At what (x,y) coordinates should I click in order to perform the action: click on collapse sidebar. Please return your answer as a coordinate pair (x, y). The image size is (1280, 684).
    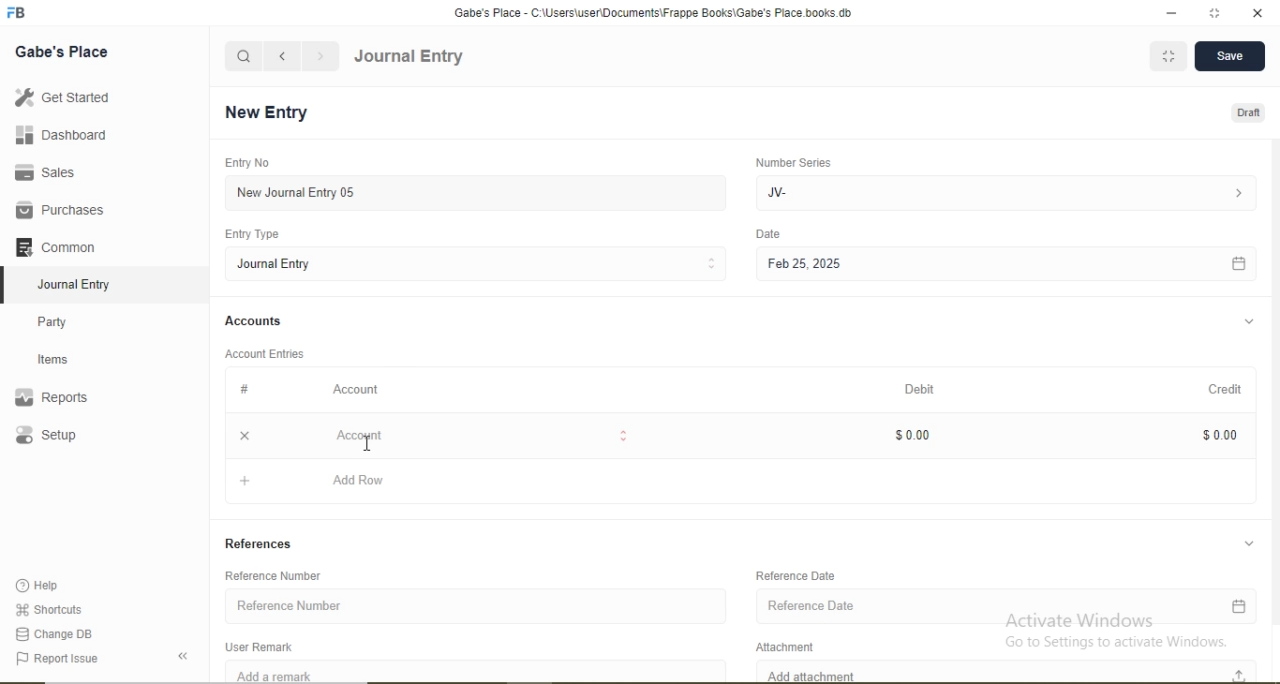
    Looking at the image, I should click on (186, 656).